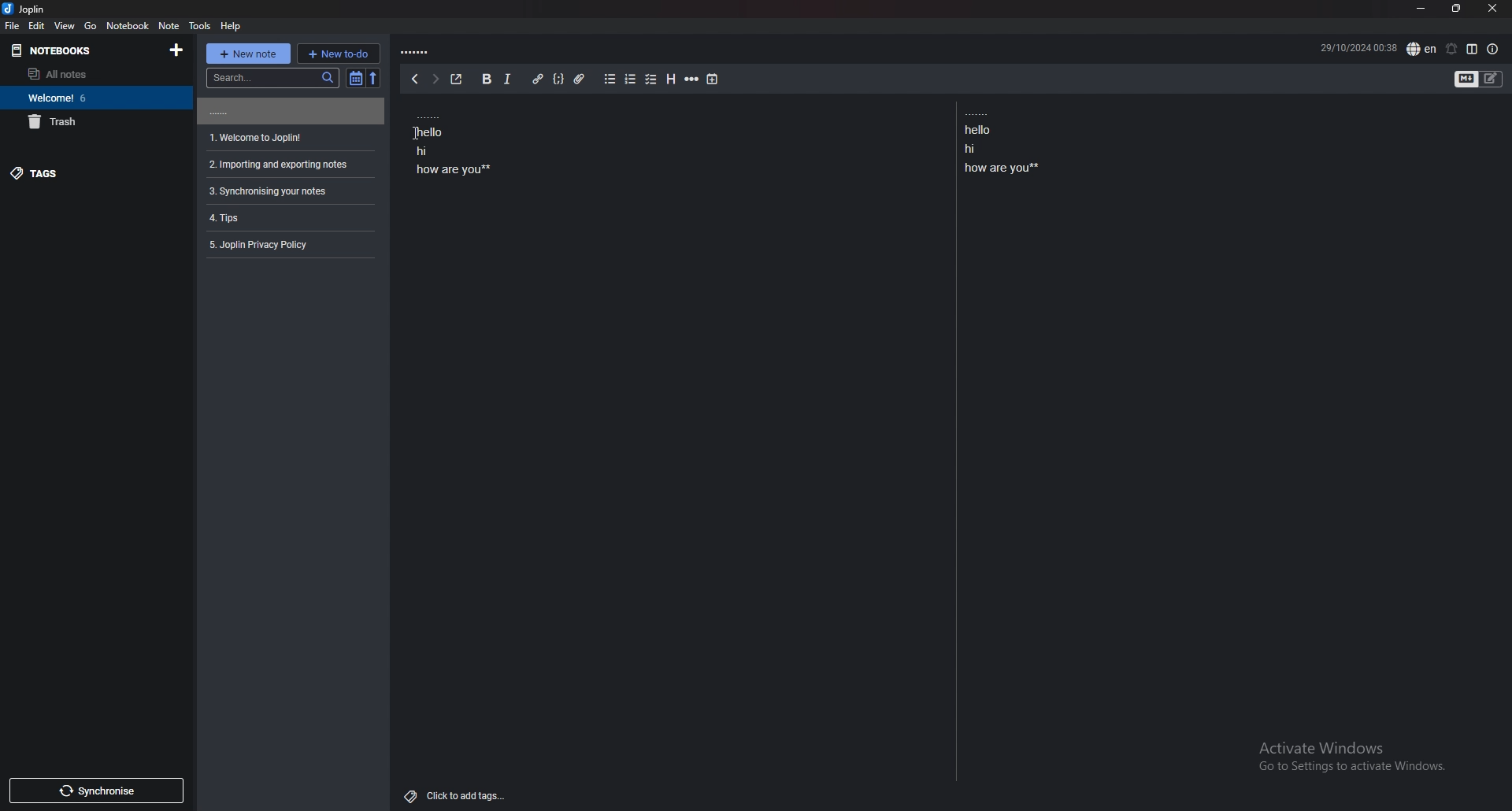 Image resolution: width=1512 pixels, height=811 pixels. What do you see at coordinates (713, 80) in the screenshot?
I see `add time` at bounding box center [713, 80].